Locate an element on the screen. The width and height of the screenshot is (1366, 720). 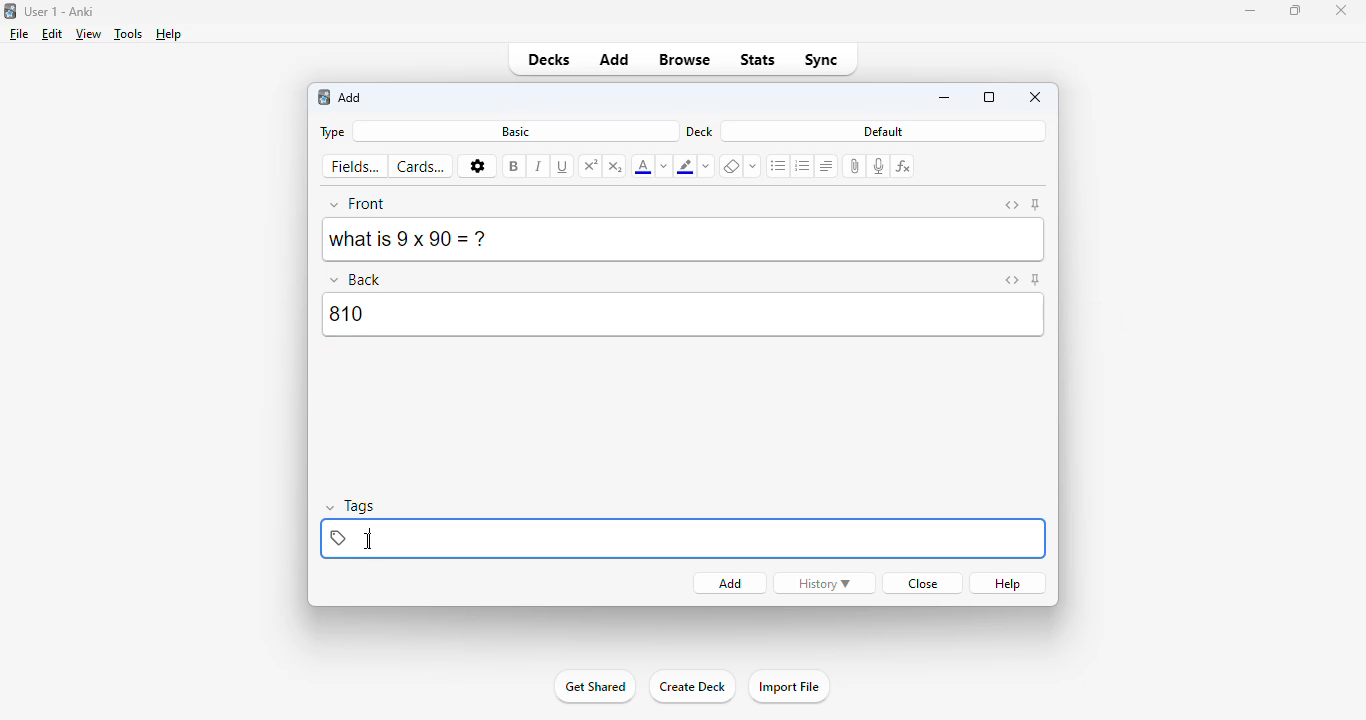
select formatting to remove is located at coordinates (753, 167).